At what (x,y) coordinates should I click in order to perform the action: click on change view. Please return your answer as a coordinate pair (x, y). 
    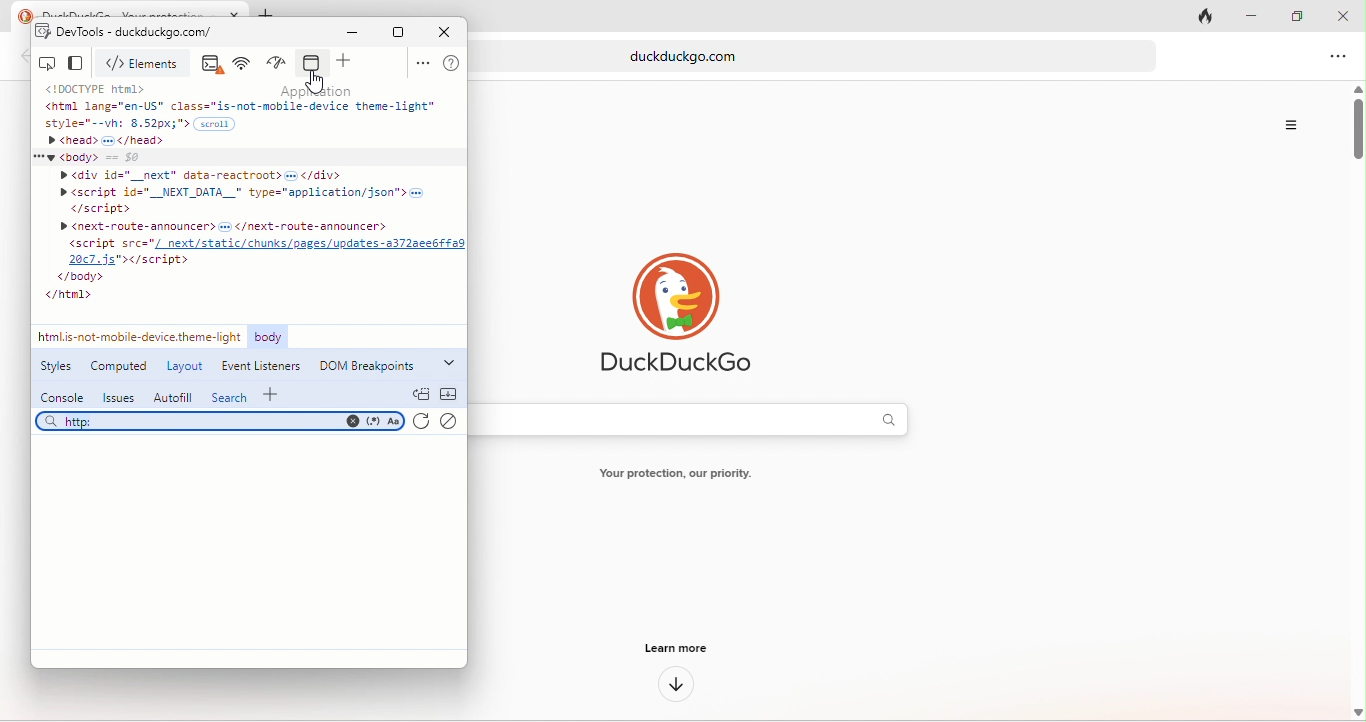
    Looking at the image, I should click on (84, 65).